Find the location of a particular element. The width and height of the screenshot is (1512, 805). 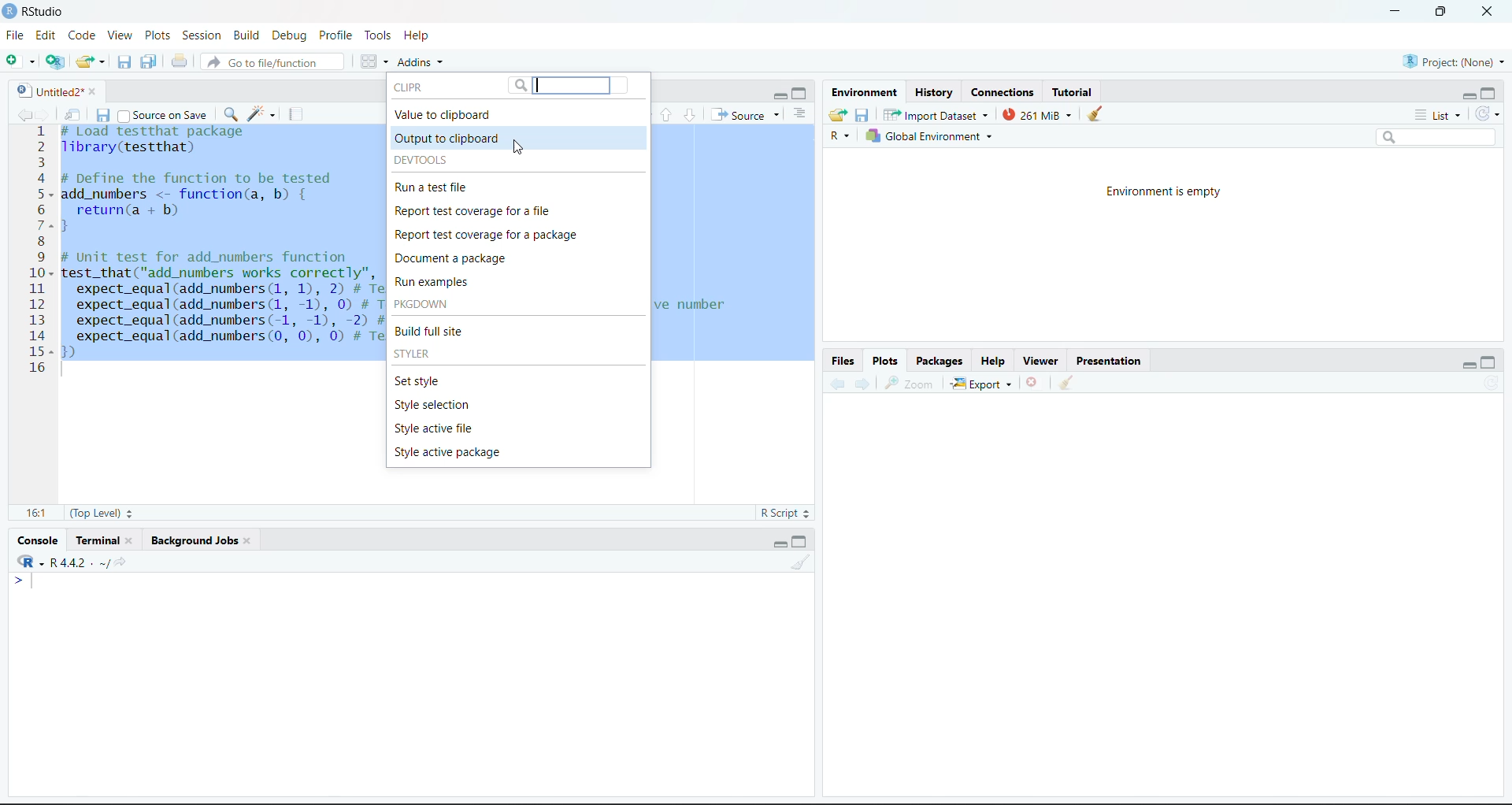

List is located at coordinates (1438, 114).